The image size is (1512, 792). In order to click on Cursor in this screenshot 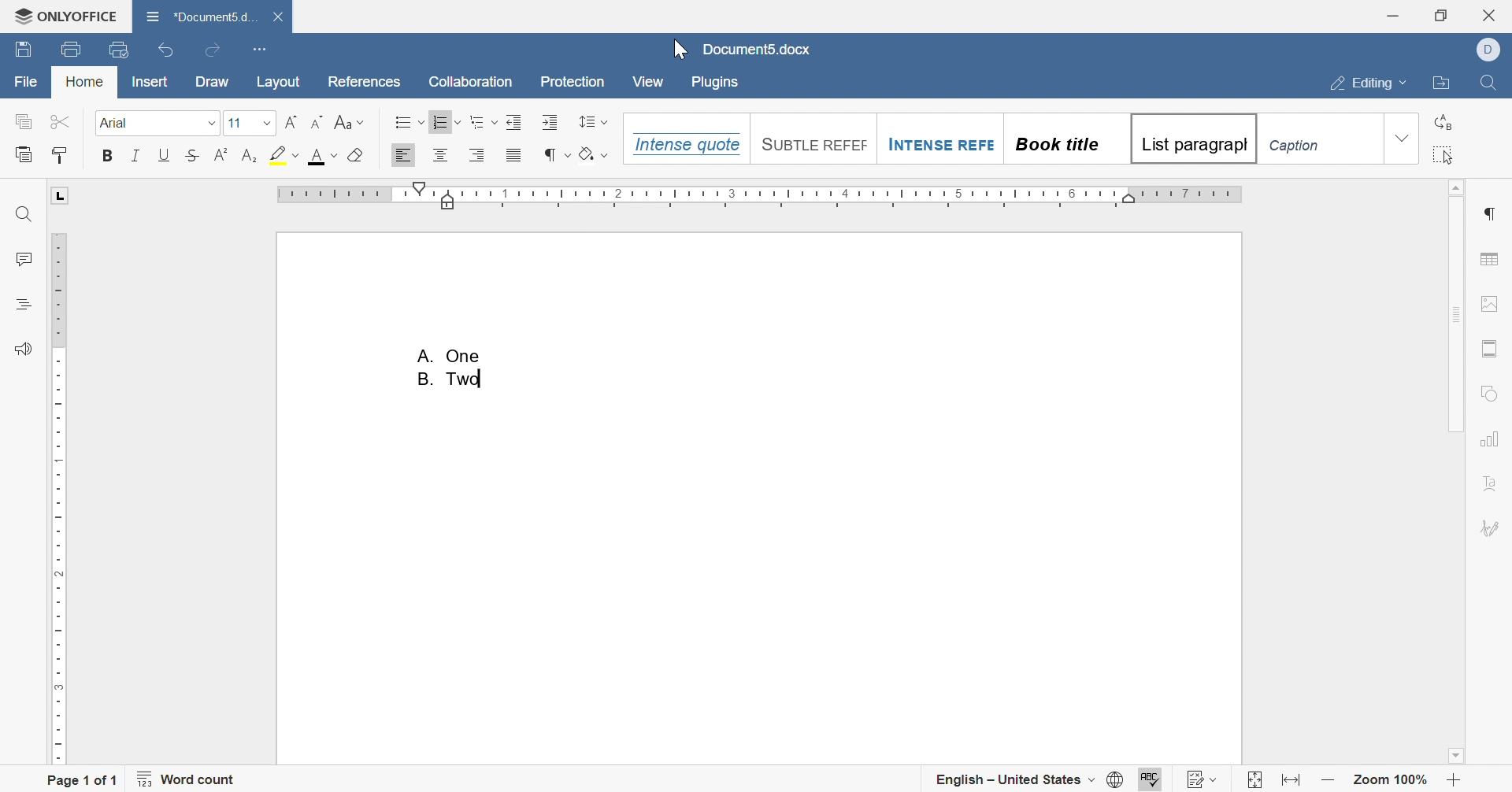, I will do `click(463, 136)`.